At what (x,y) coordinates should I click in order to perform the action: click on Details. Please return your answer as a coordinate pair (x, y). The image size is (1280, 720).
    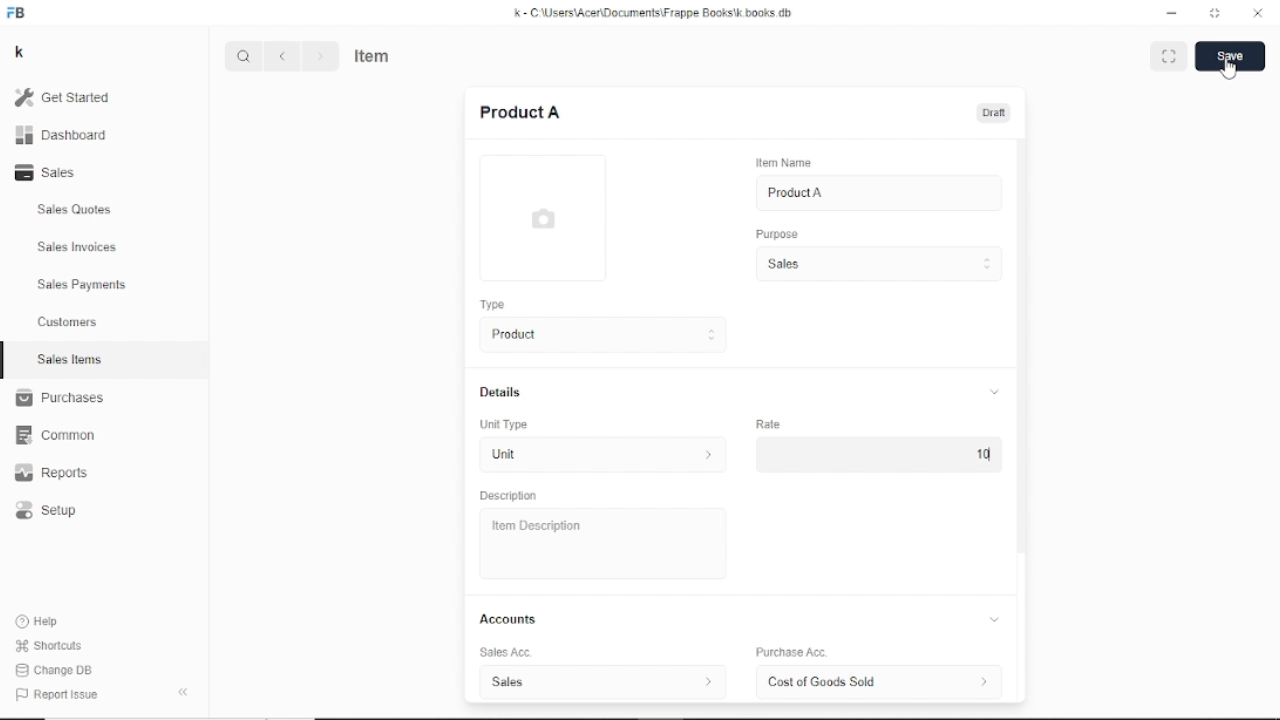
    Looking at the image, I should click on (739, 392).